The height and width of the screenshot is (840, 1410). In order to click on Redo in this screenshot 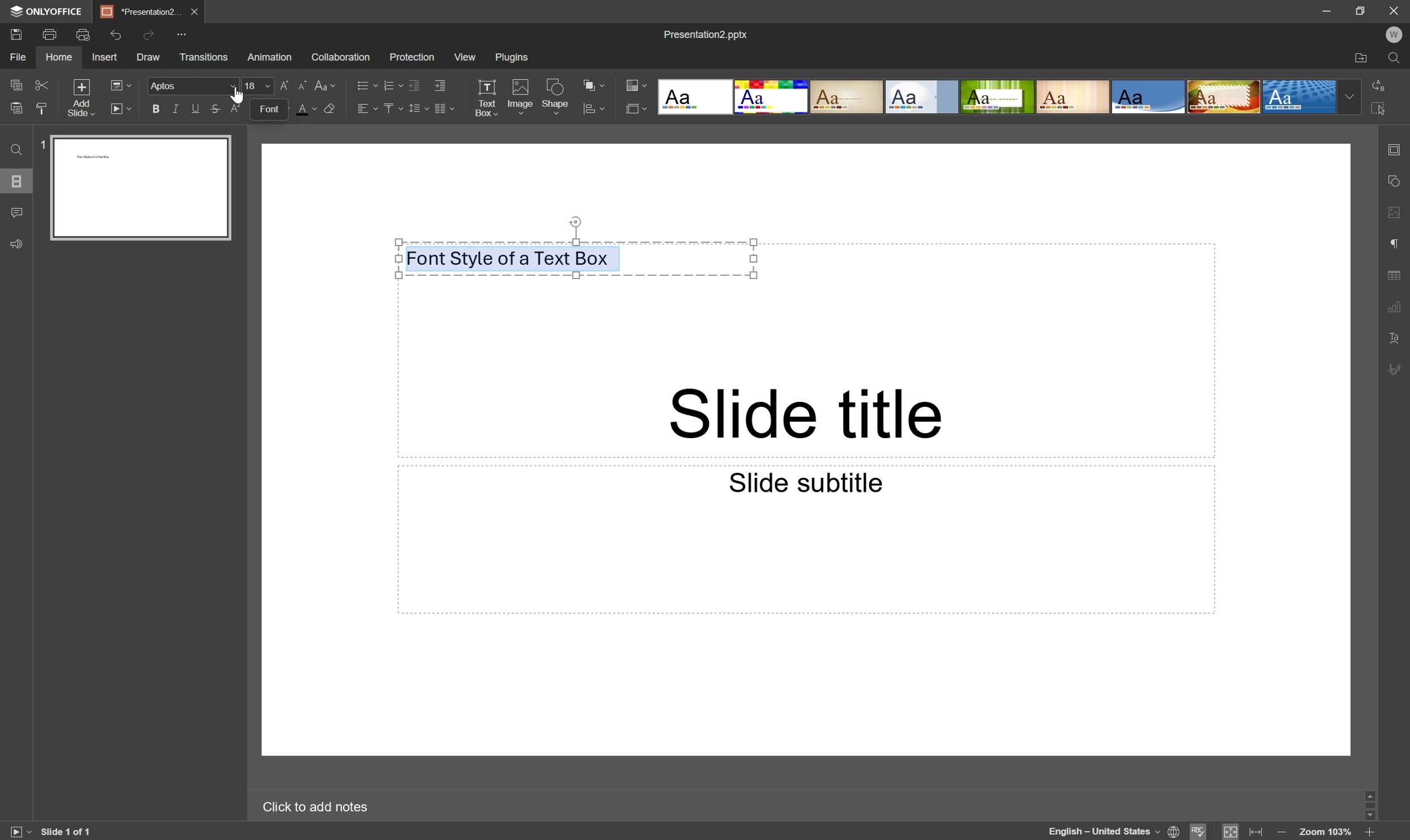, I will do `click(151, 36)`.